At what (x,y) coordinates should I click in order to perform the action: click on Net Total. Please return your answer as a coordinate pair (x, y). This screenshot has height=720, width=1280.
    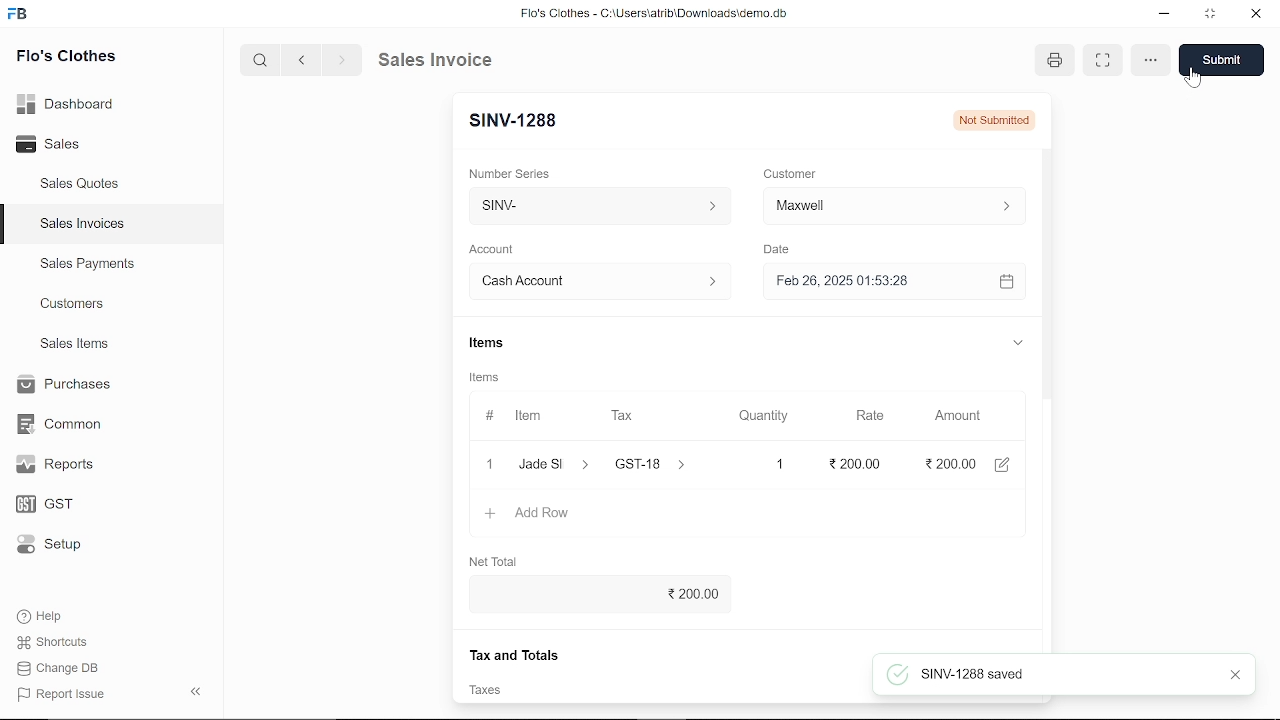
    Looking at the image, I should click on (496, 558).